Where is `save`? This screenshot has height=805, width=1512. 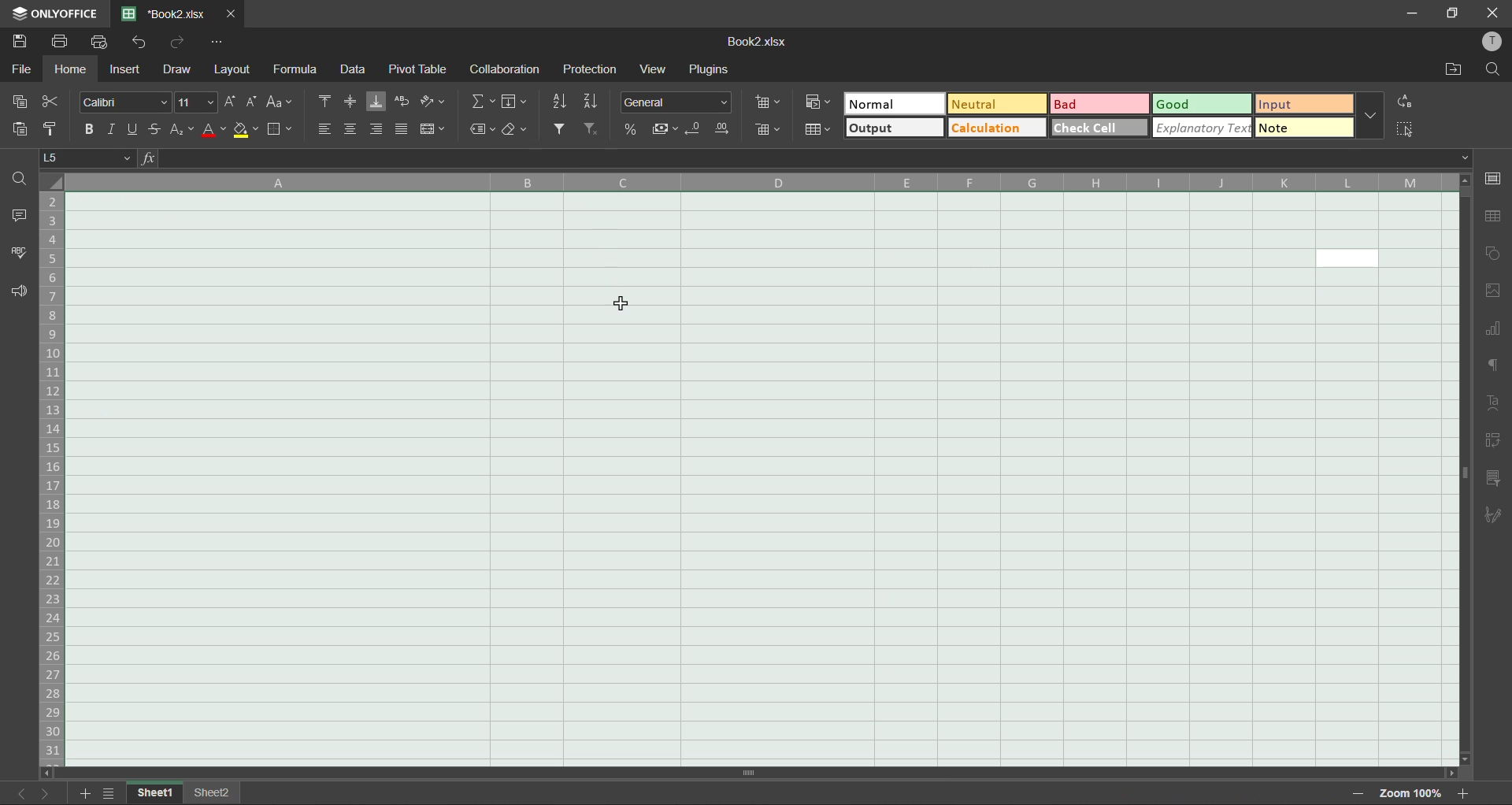
save is located at coordinates (18, 42).